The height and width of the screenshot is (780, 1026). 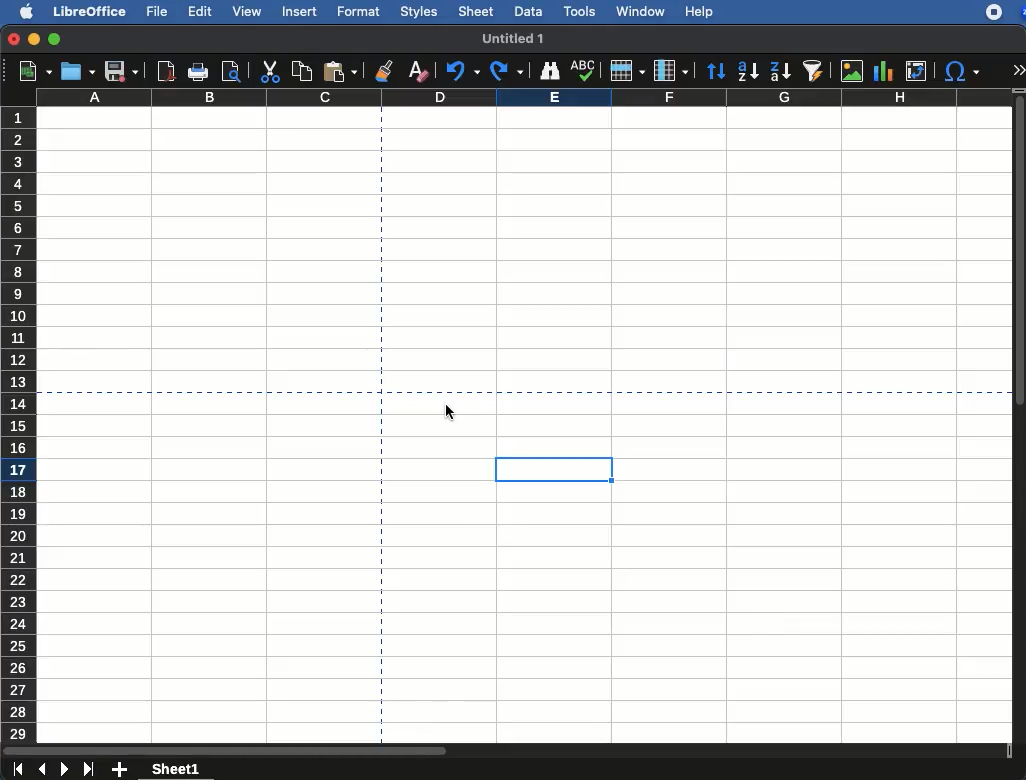 What do you see at coordinates (302, 70) in the screenshot?
I see `copy` at bounding box center [302, 70].